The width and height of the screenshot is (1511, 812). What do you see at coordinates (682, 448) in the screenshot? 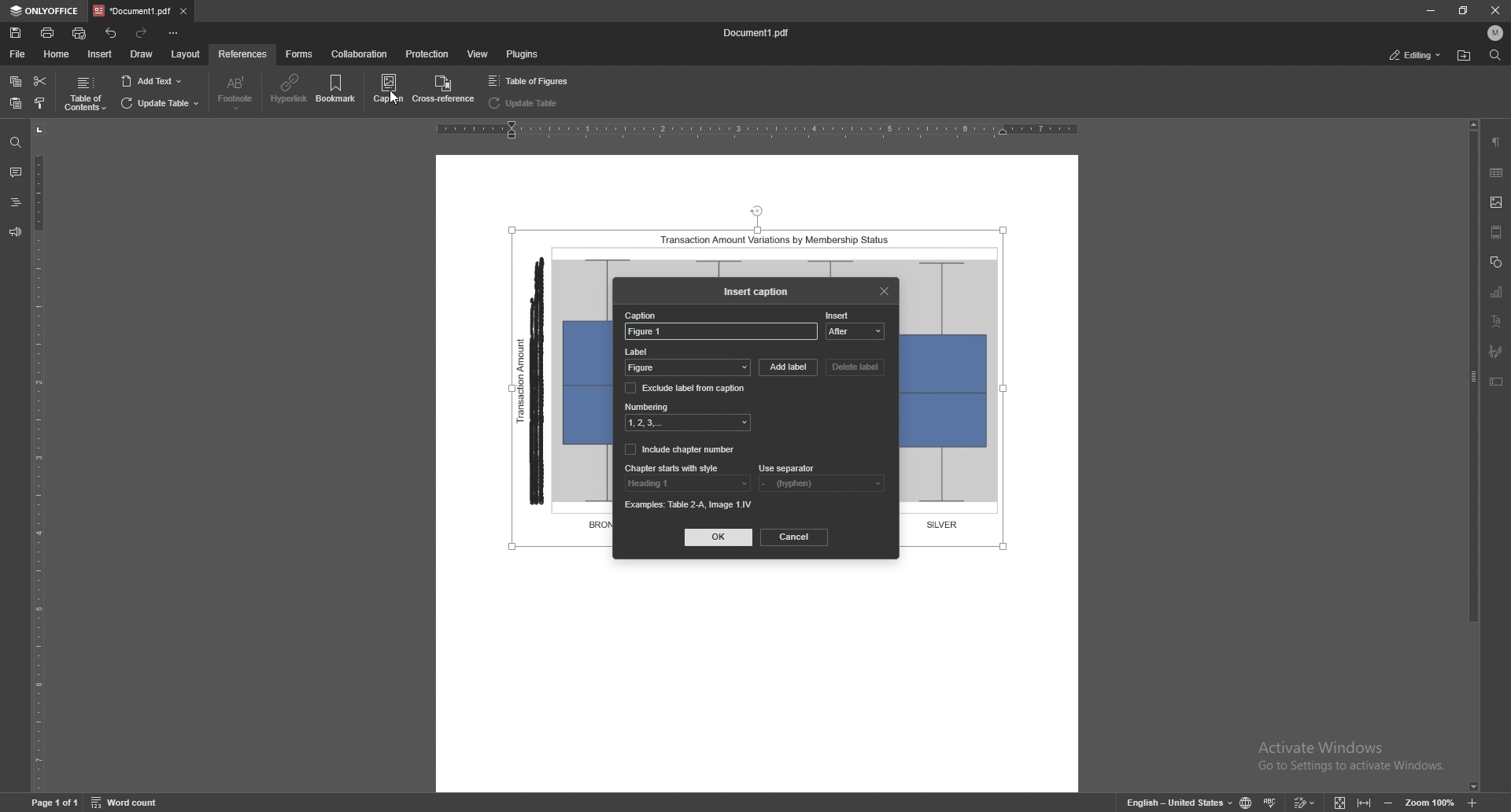
I see `include chapter number` at bounding box center [682, 448].